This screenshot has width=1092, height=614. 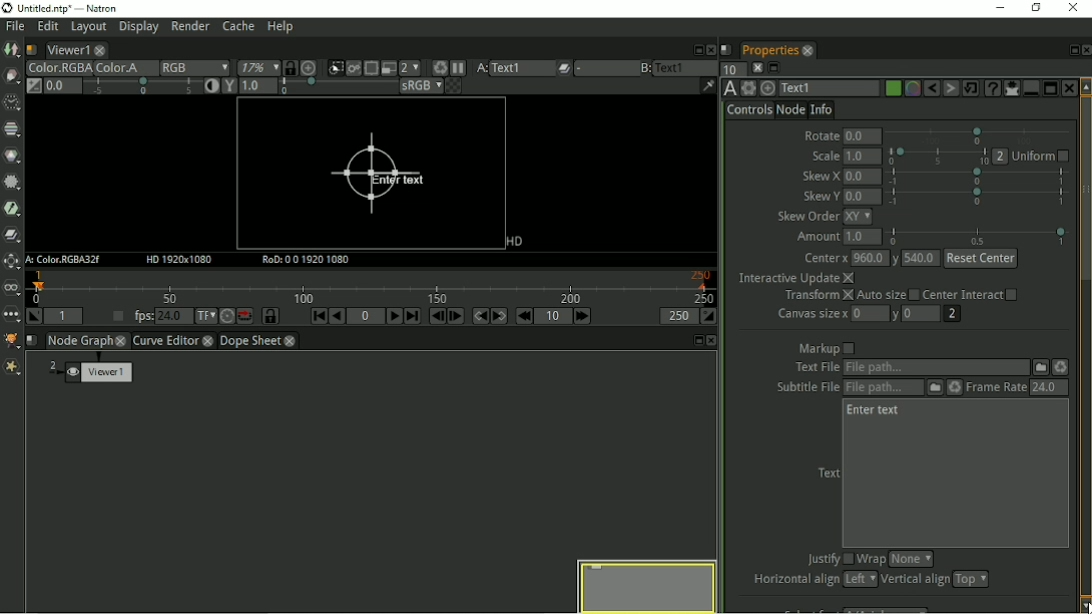 I want to click on Float pane, so click(x=695, y=49).